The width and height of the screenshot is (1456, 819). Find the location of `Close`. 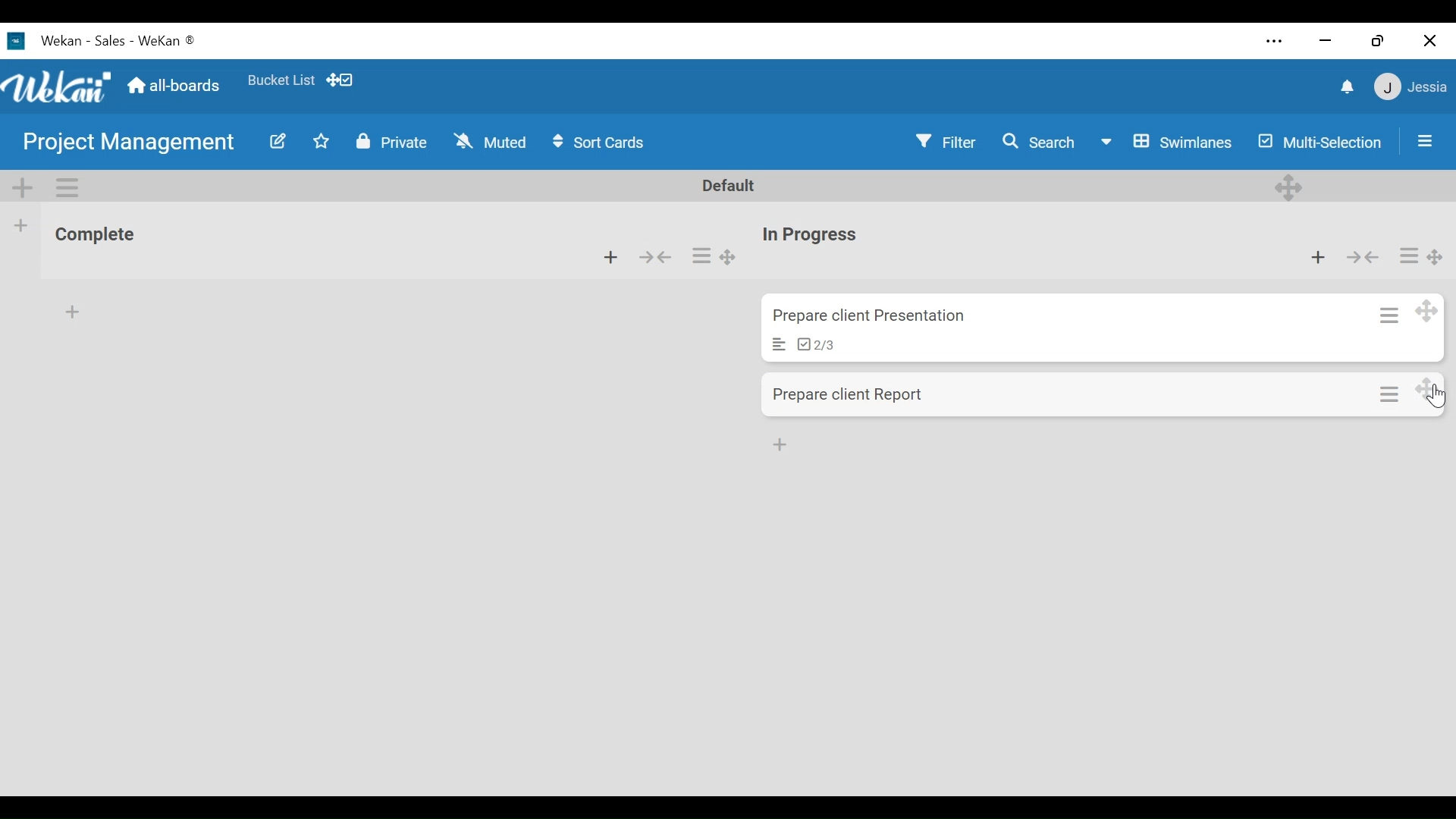

Close is located at coordinates (1431, 39).